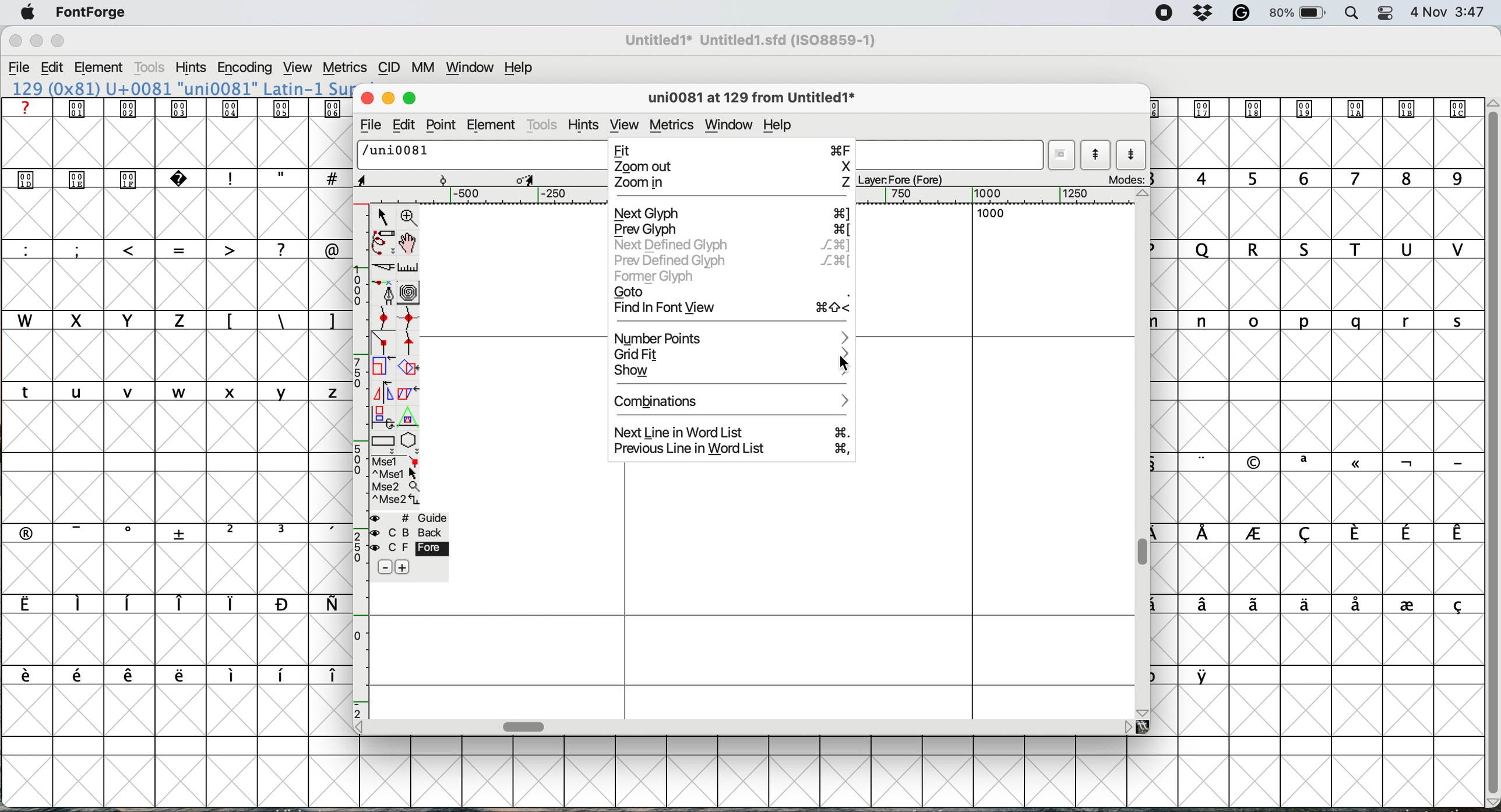 Image resolution: width=1501 pixels, height=812 pixels. What do you see at coordinates (1144, 712) in the screenshot?
I see `Scroll Button` at bounding box center [1144, 712].